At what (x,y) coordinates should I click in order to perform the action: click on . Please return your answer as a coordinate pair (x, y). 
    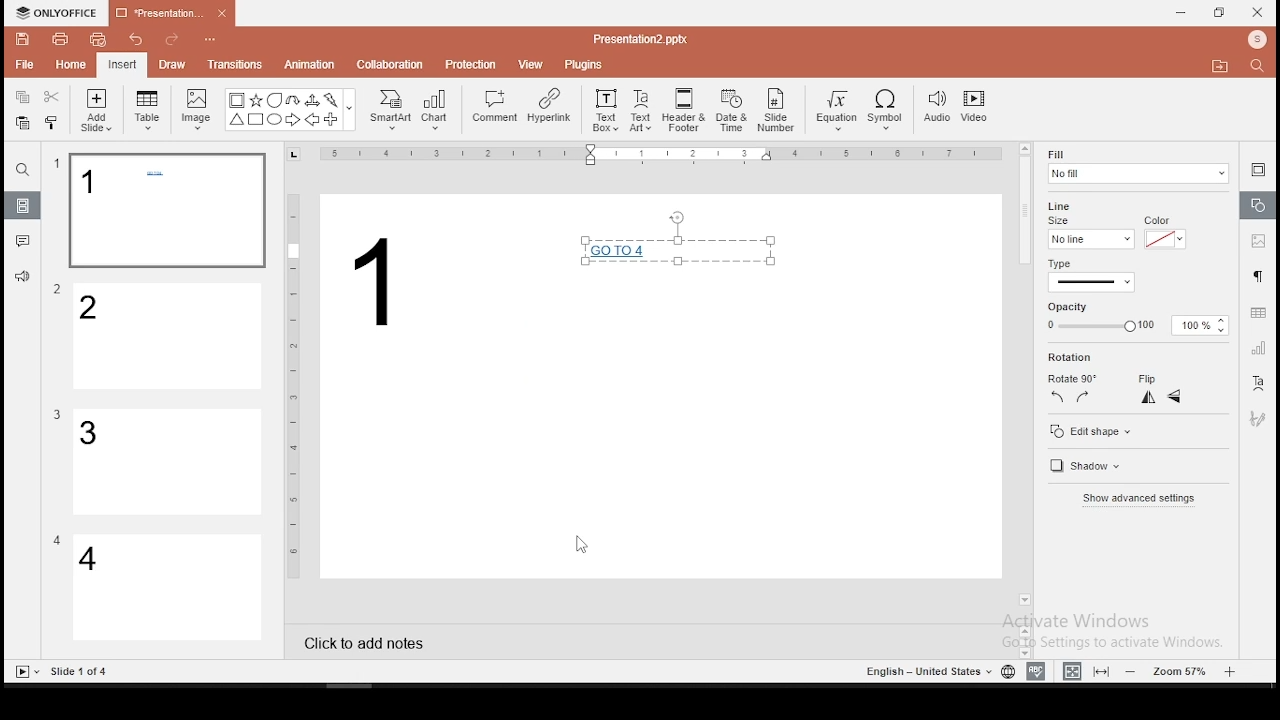
    Looking at the image, I should click on (81, 672).